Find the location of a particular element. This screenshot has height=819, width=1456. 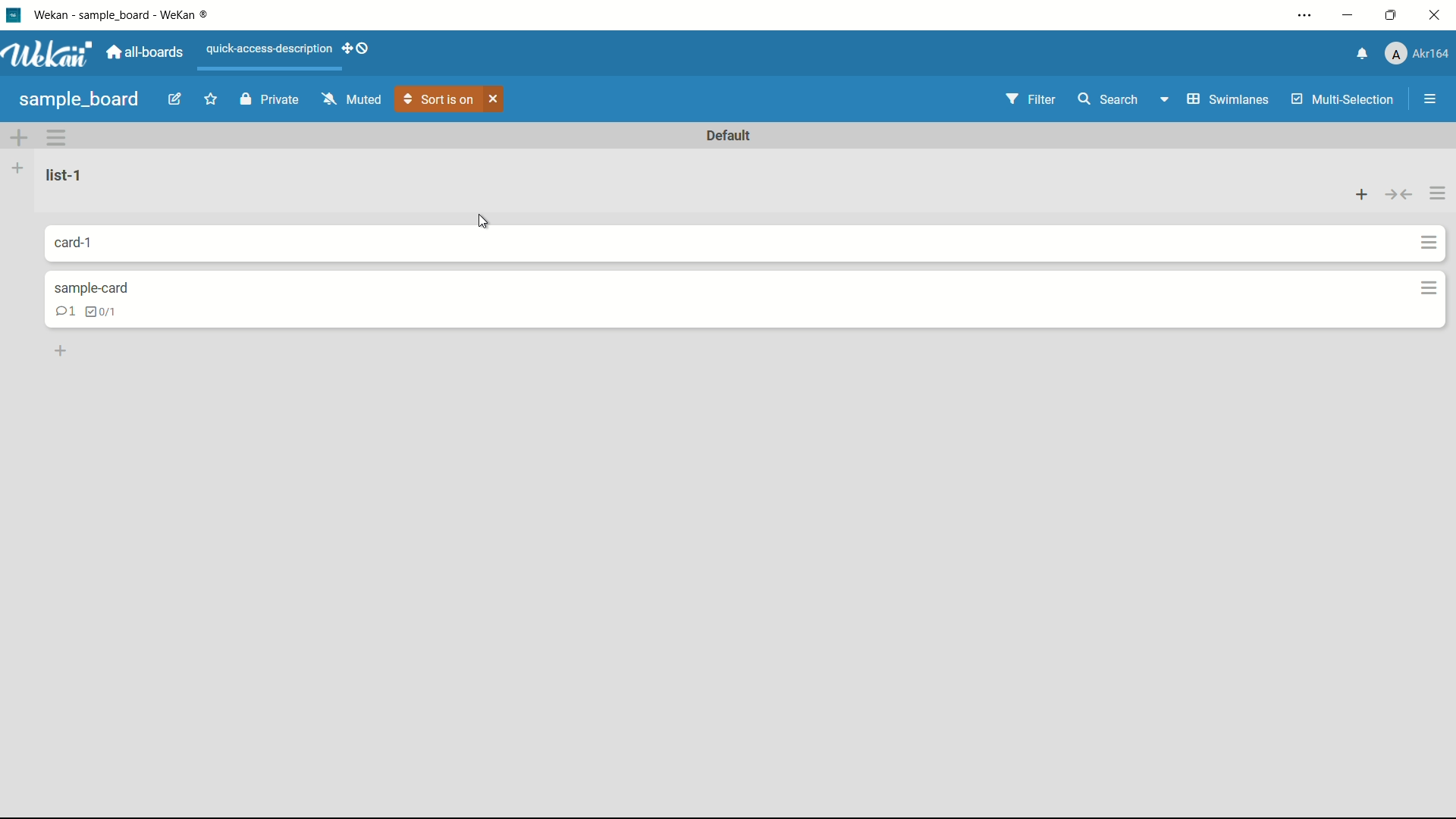

card name is located at coordinates (89, 242).